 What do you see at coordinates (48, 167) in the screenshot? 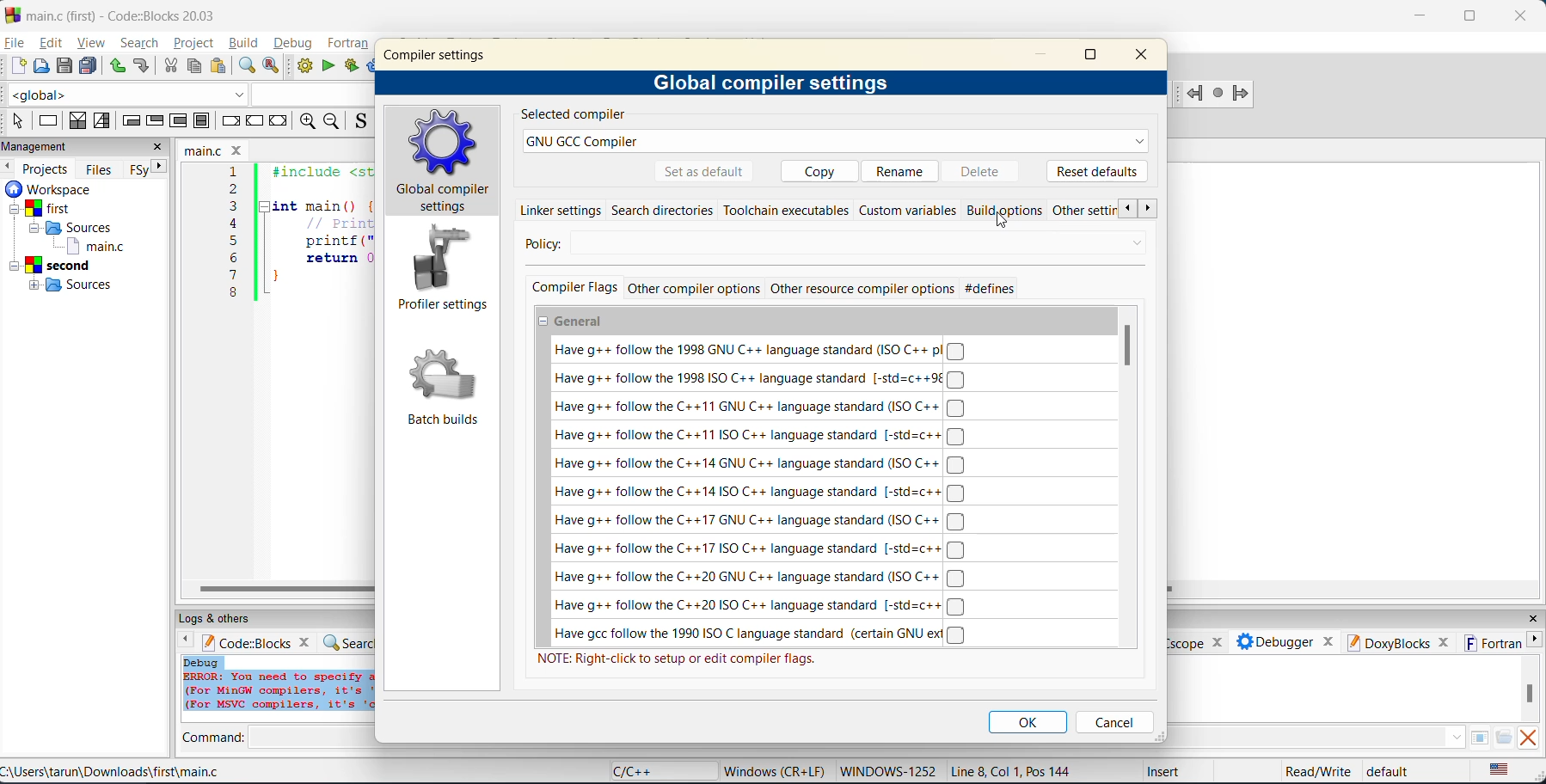
I see `projects` at bounding box center [48, 167].